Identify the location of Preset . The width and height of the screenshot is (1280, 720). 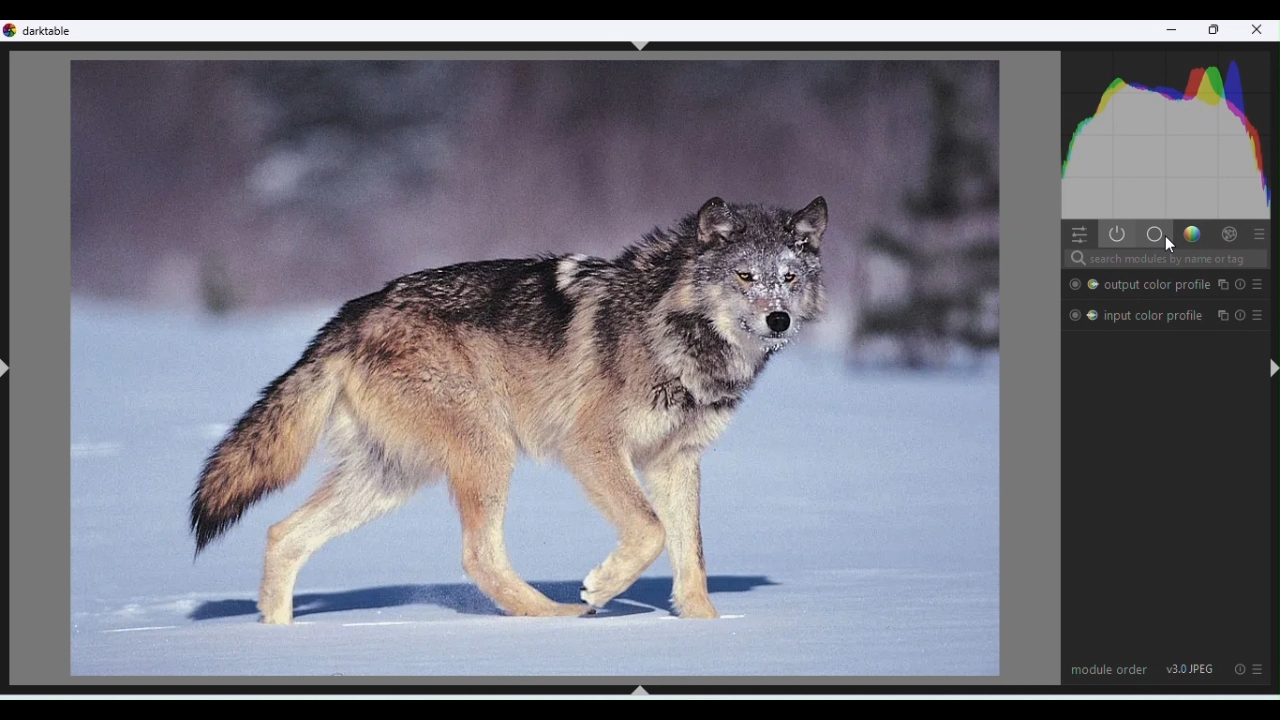
(1260, 233).